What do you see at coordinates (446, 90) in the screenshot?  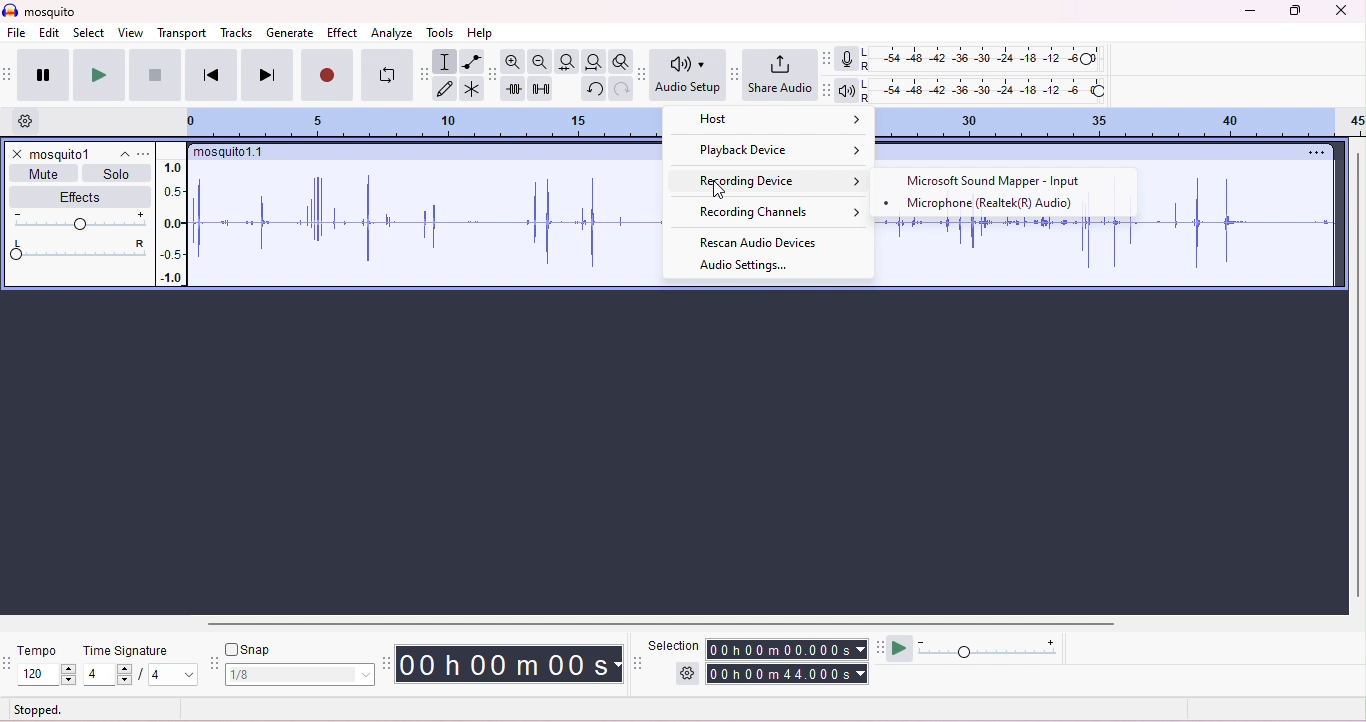 I see `draw` at bounding box center [446, 90].